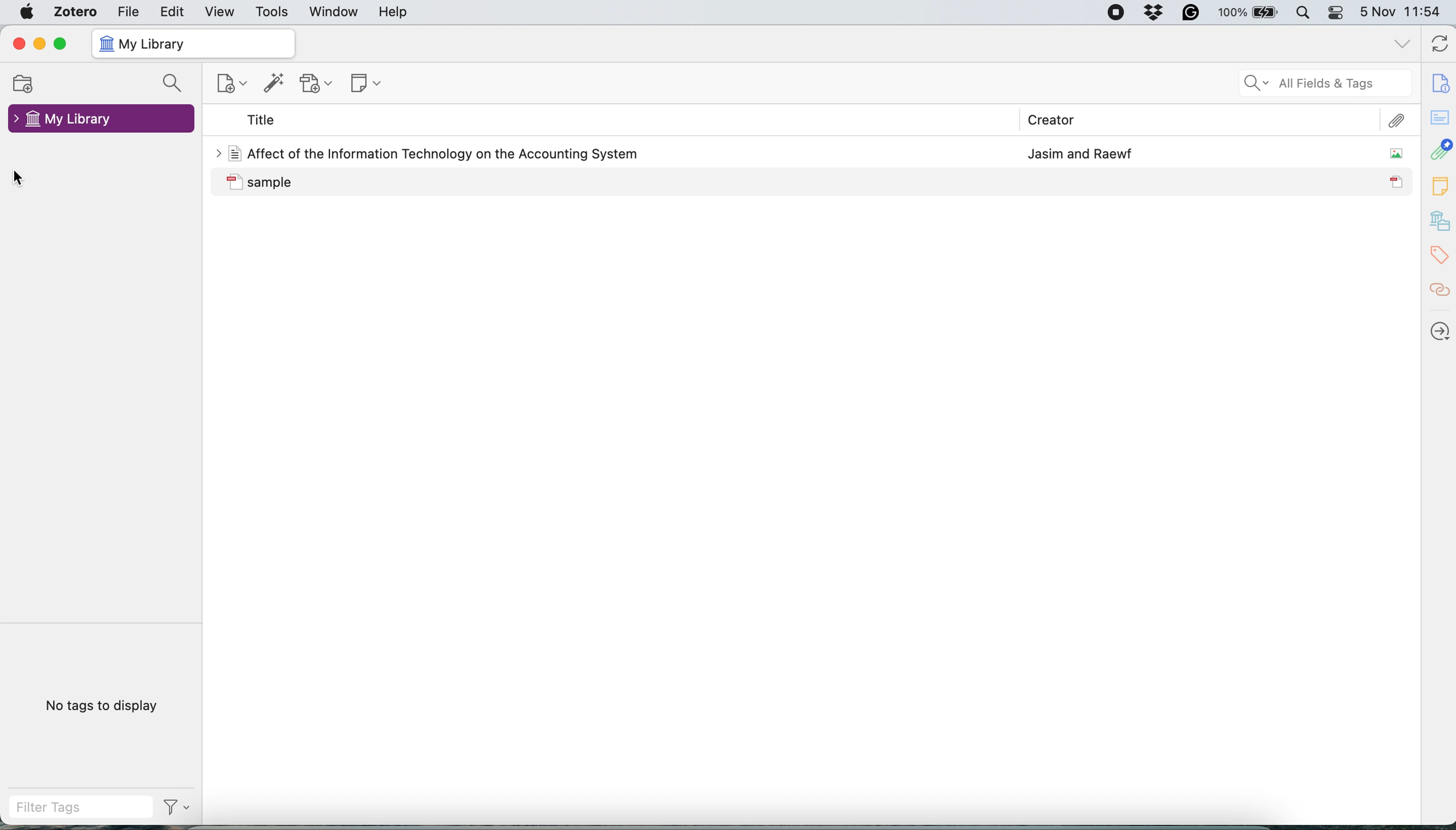 The height and width of the screenshot is (830, 1456). I want to click on new item, so click(231, 80).